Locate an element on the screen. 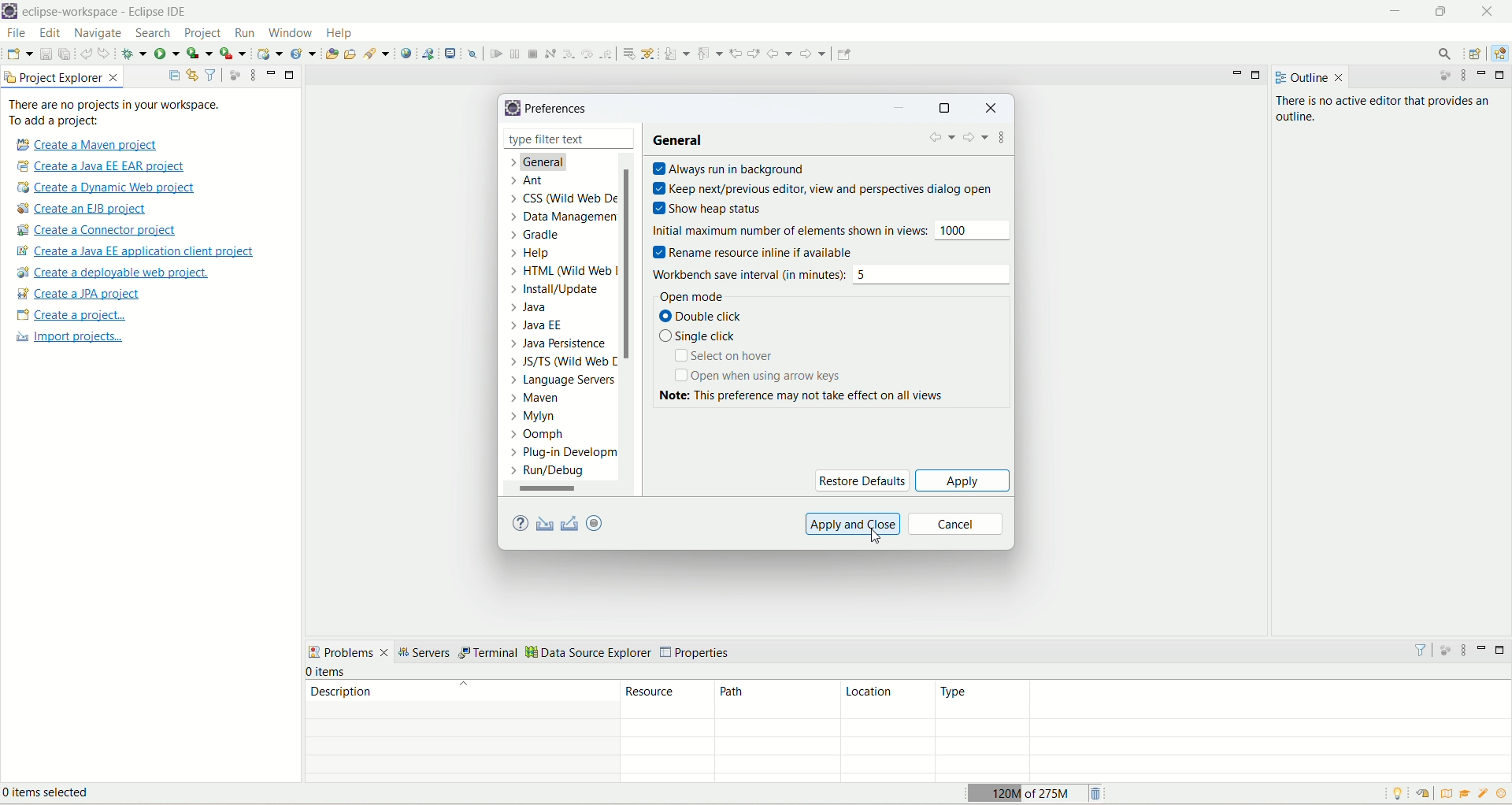  terminal is located at coordinates (490, 654).